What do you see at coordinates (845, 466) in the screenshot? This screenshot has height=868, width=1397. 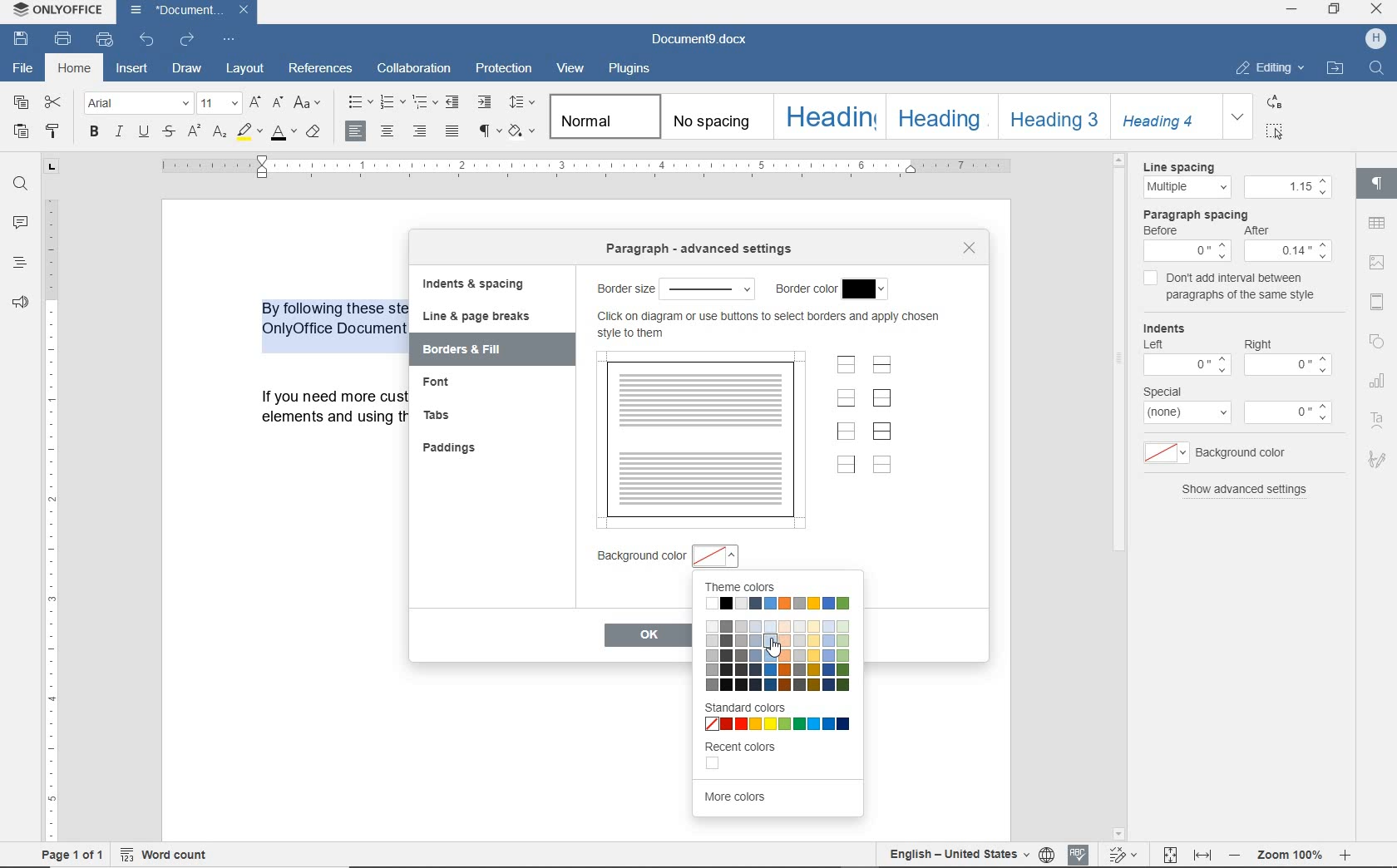 I see `set right border only` at bounding box center [845, 466].